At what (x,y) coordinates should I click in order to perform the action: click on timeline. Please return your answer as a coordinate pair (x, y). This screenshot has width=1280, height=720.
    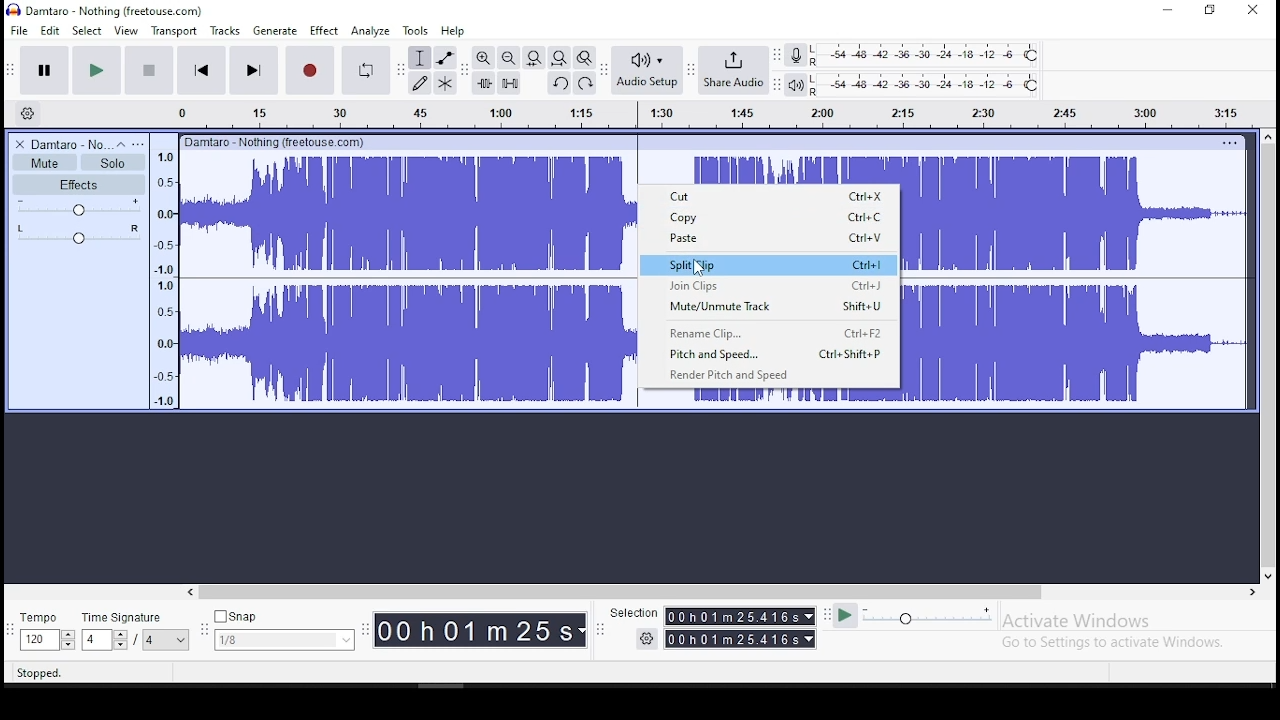
    Looking at the image, I should click on (713, 114).